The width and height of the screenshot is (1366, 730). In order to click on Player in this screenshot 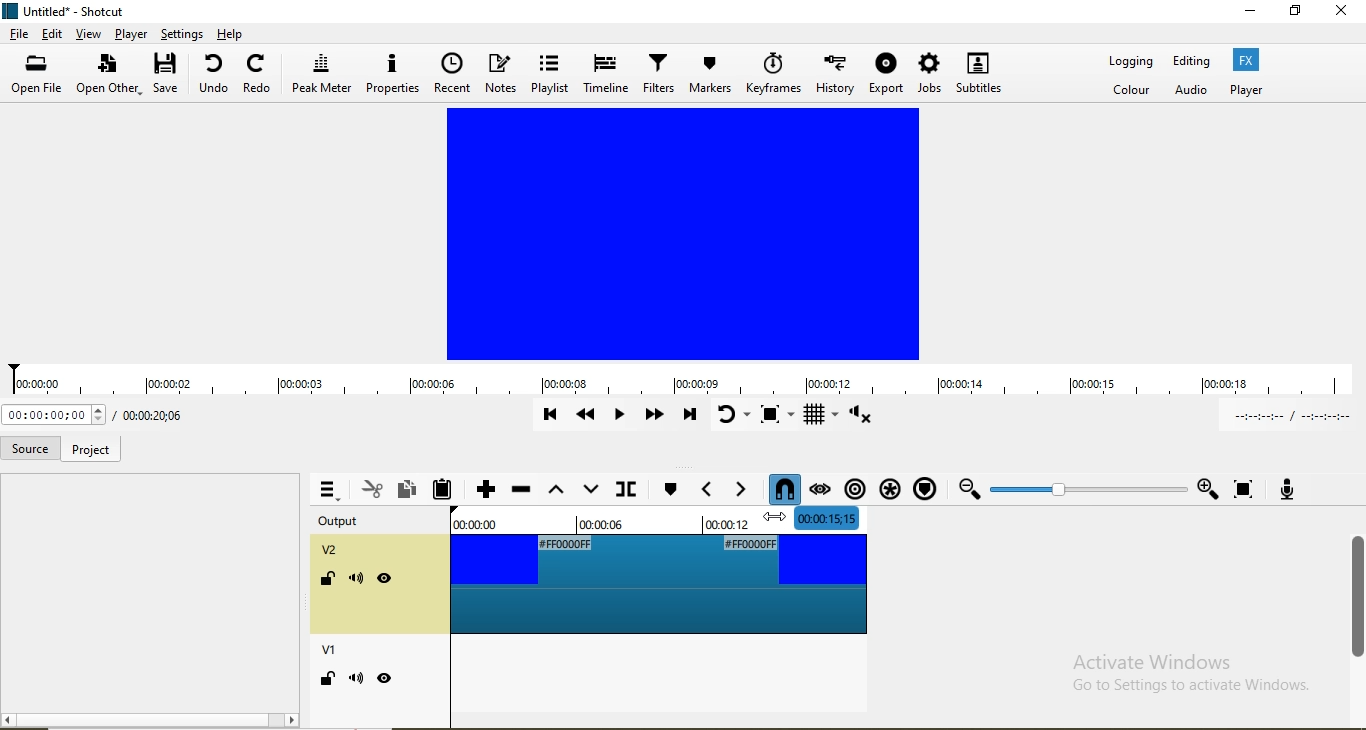, I will do `click(1246, 89)`.